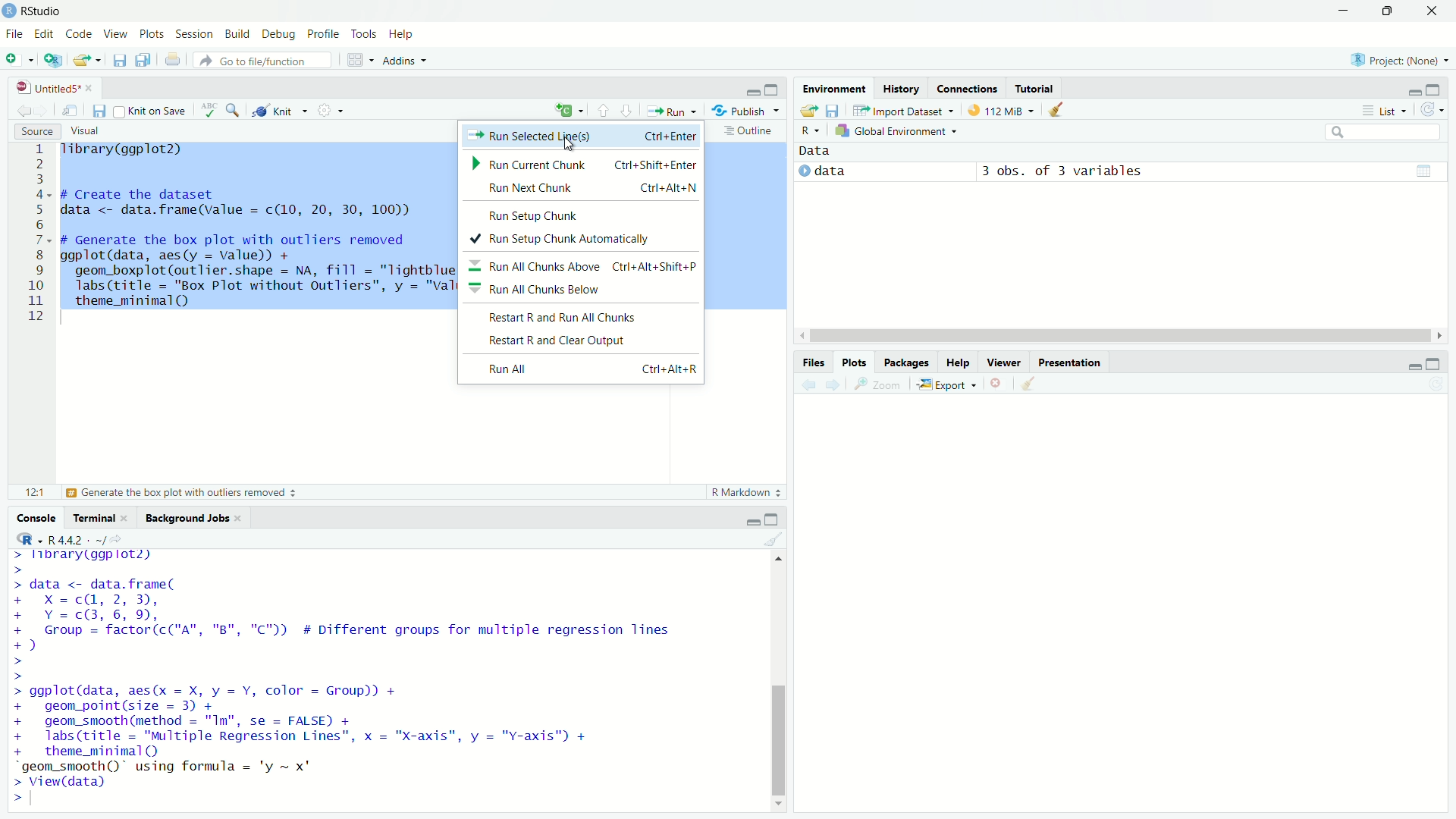 This screenshot has width=1456, height=819. Describe the element at coordinates (36, 233) in the screenshot. I see `1
2
g
4.
5
6
7
8
9
10
11
12` at that location.